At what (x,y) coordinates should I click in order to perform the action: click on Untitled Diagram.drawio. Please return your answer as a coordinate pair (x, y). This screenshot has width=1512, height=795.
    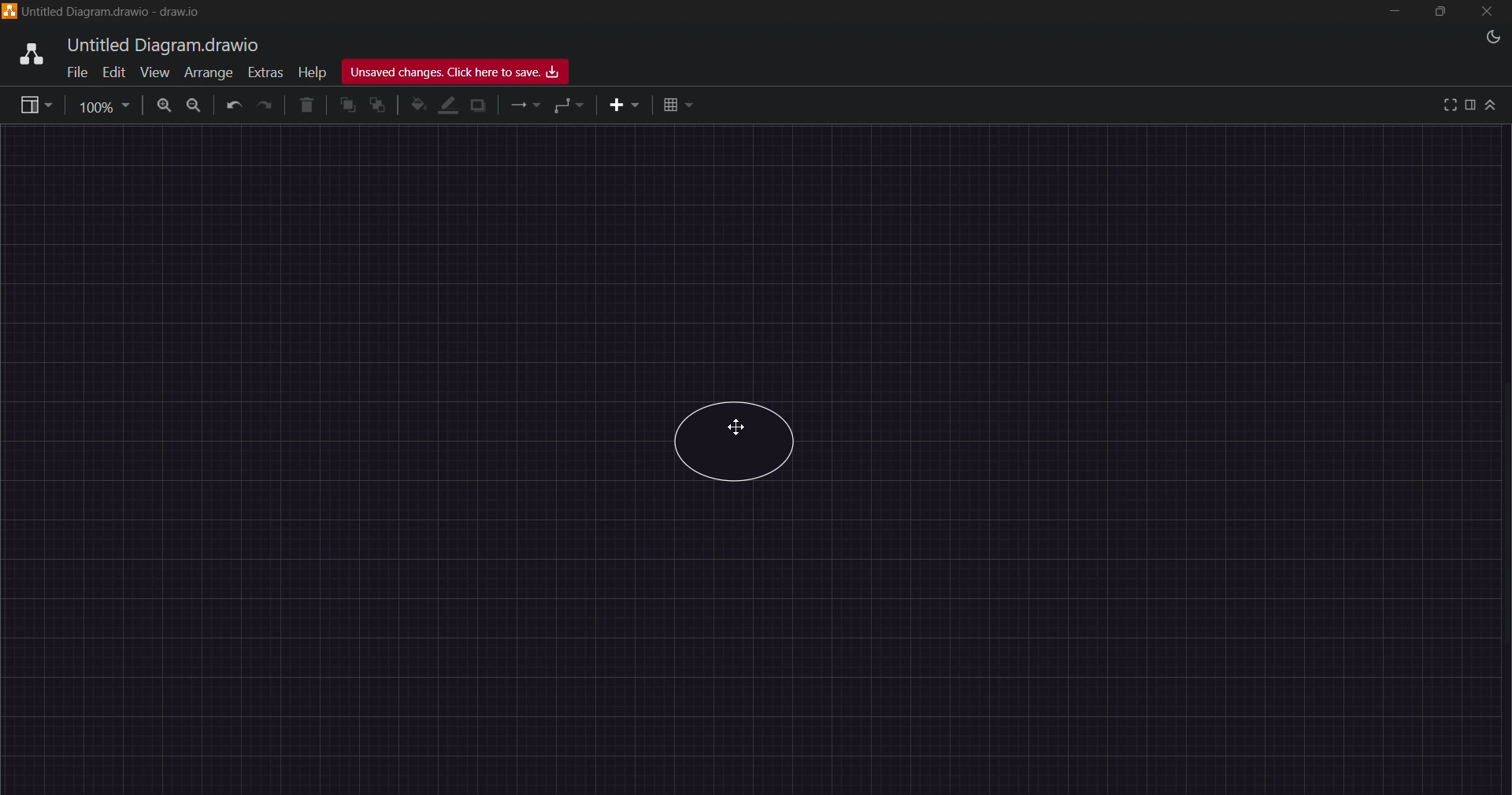
    Looking at the image, I should click on (161, 44).